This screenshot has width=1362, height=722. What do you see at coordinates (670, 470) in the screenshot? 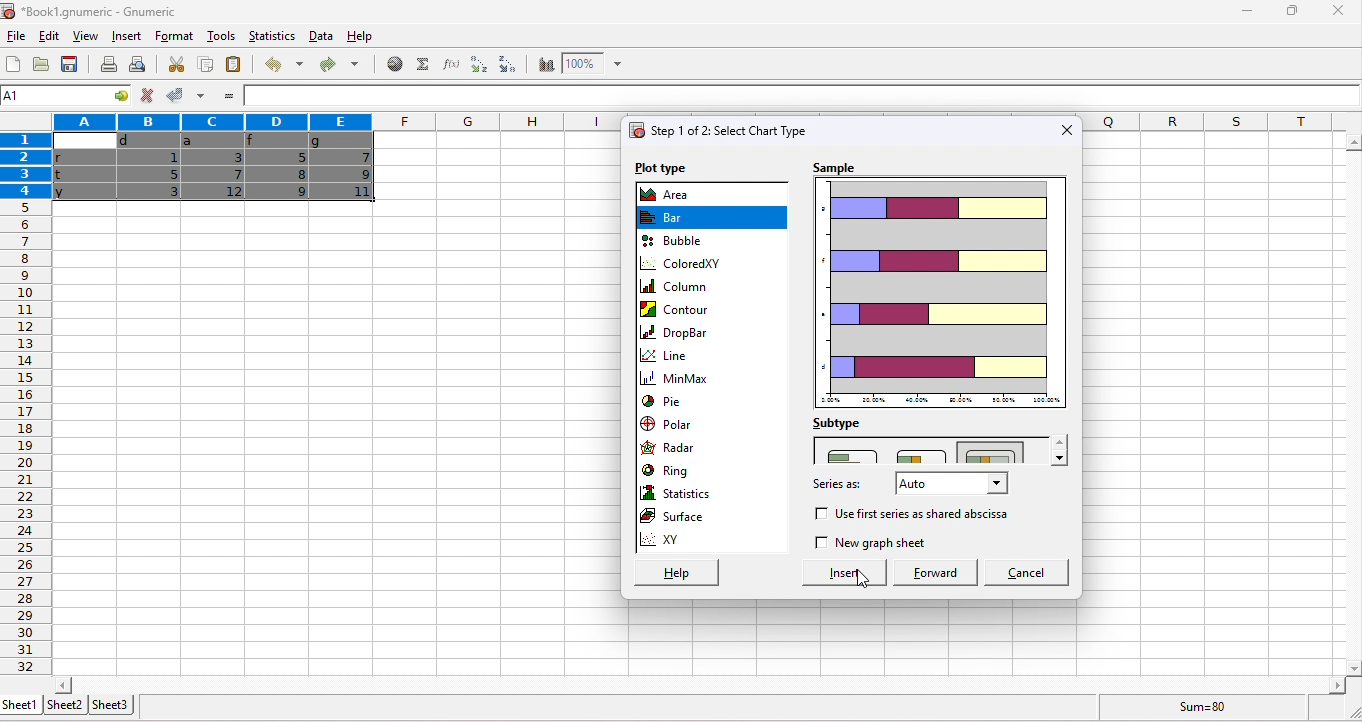
I see `ring` at bounding box center [670, 470].